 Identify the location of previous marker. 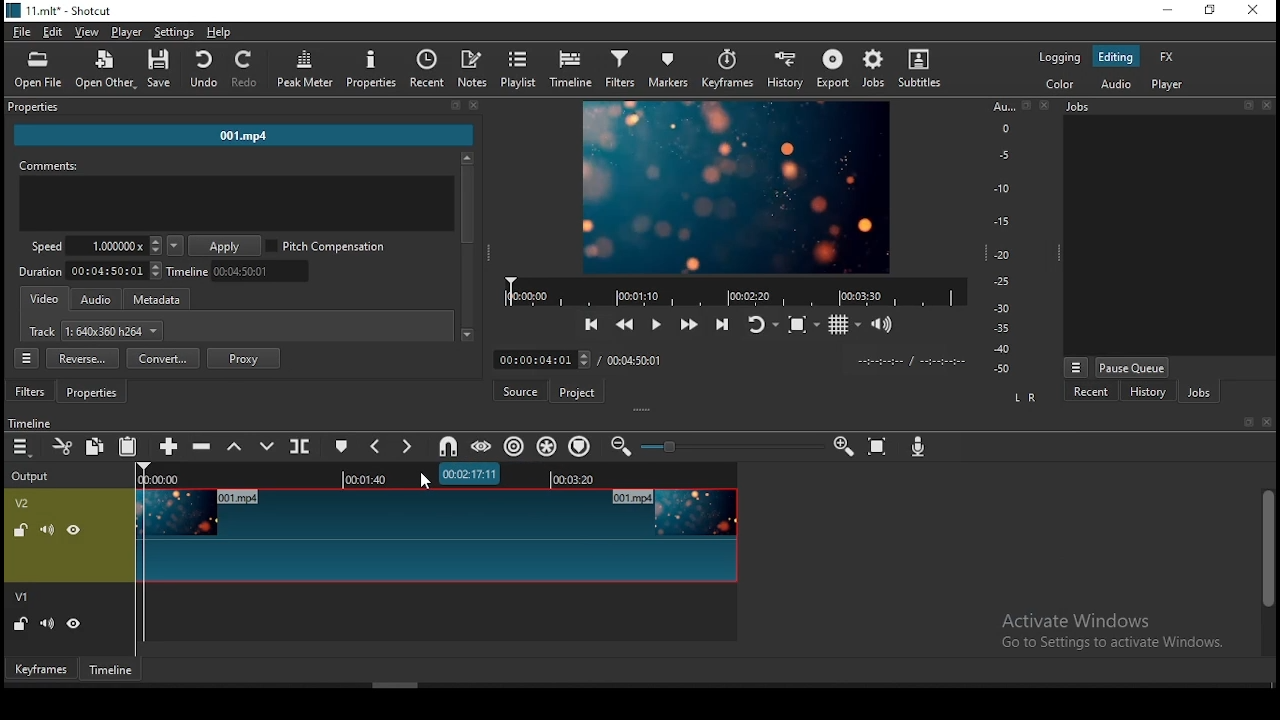
(375, 446).